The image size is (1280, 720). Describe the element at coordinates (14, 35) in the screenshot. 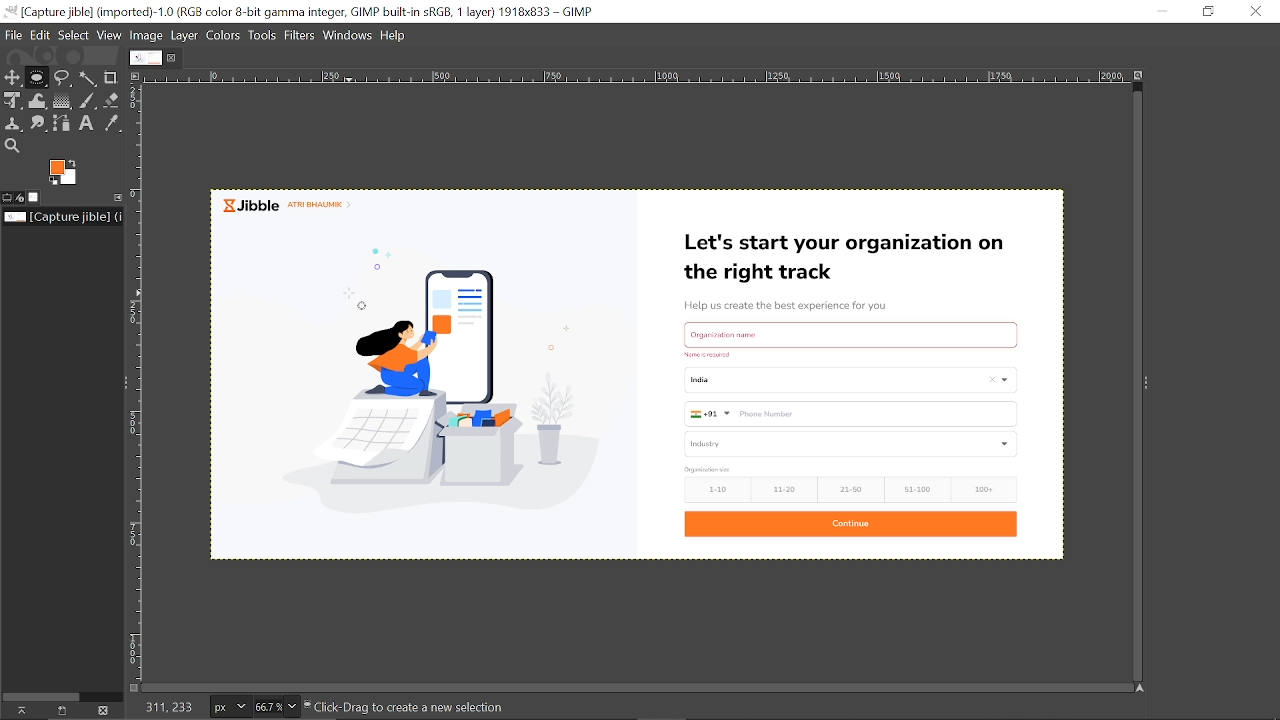

I see `File` at that location.